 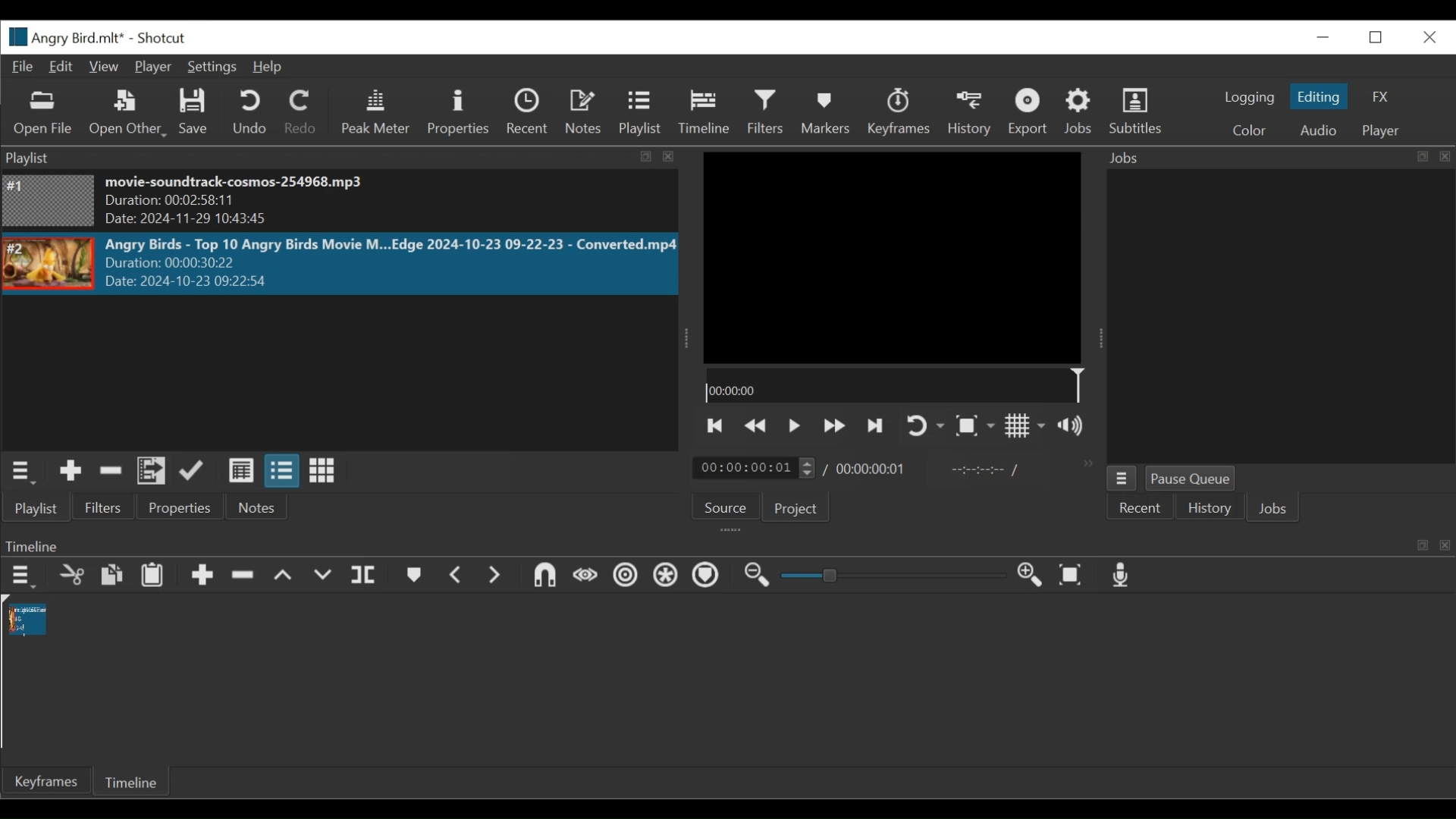 I want to click on Close, so click(x=1429, y=35).